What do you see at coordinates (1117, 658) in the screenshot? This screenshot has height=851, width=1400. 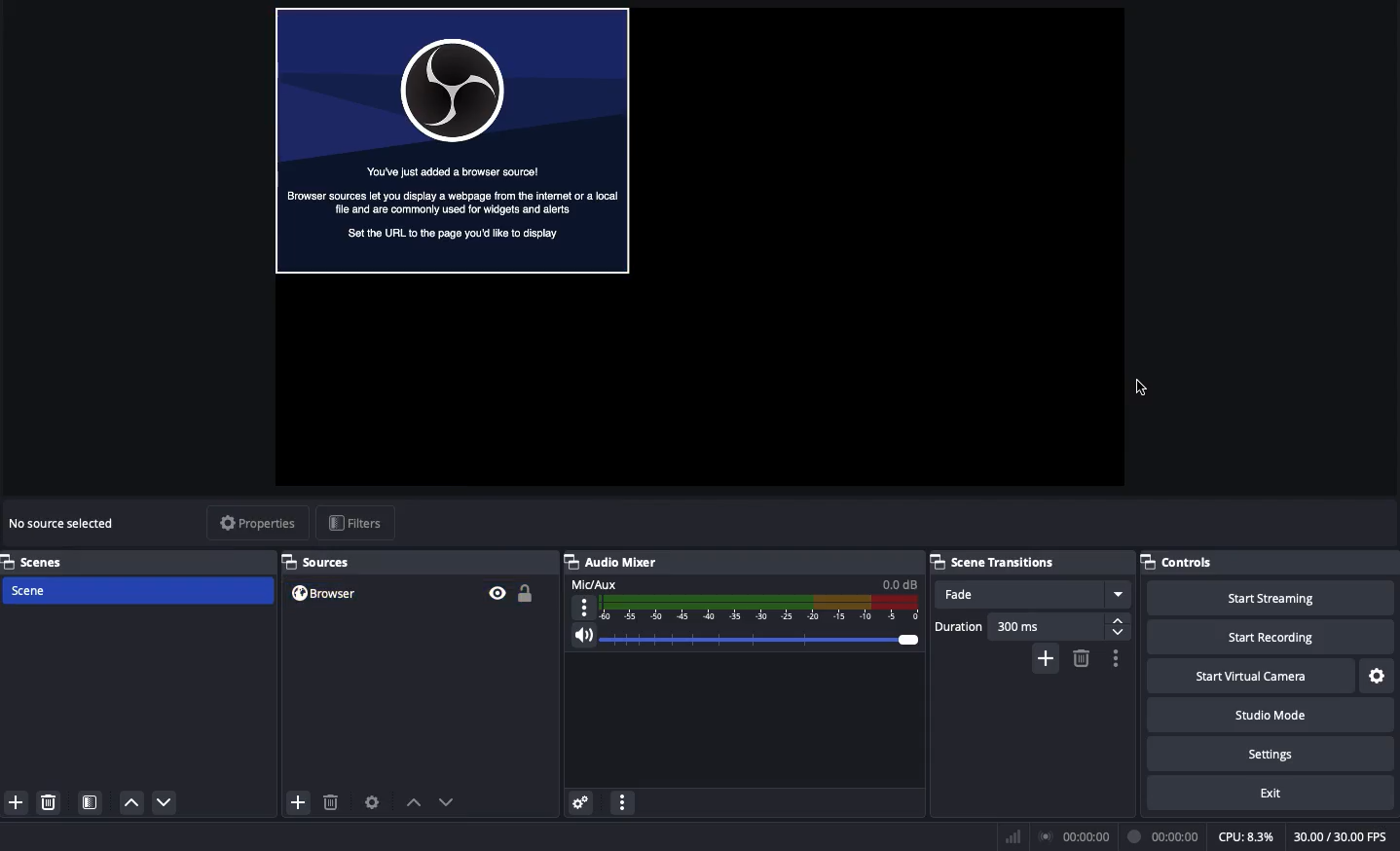 I see `Options` at bounding box center [1117, 658].